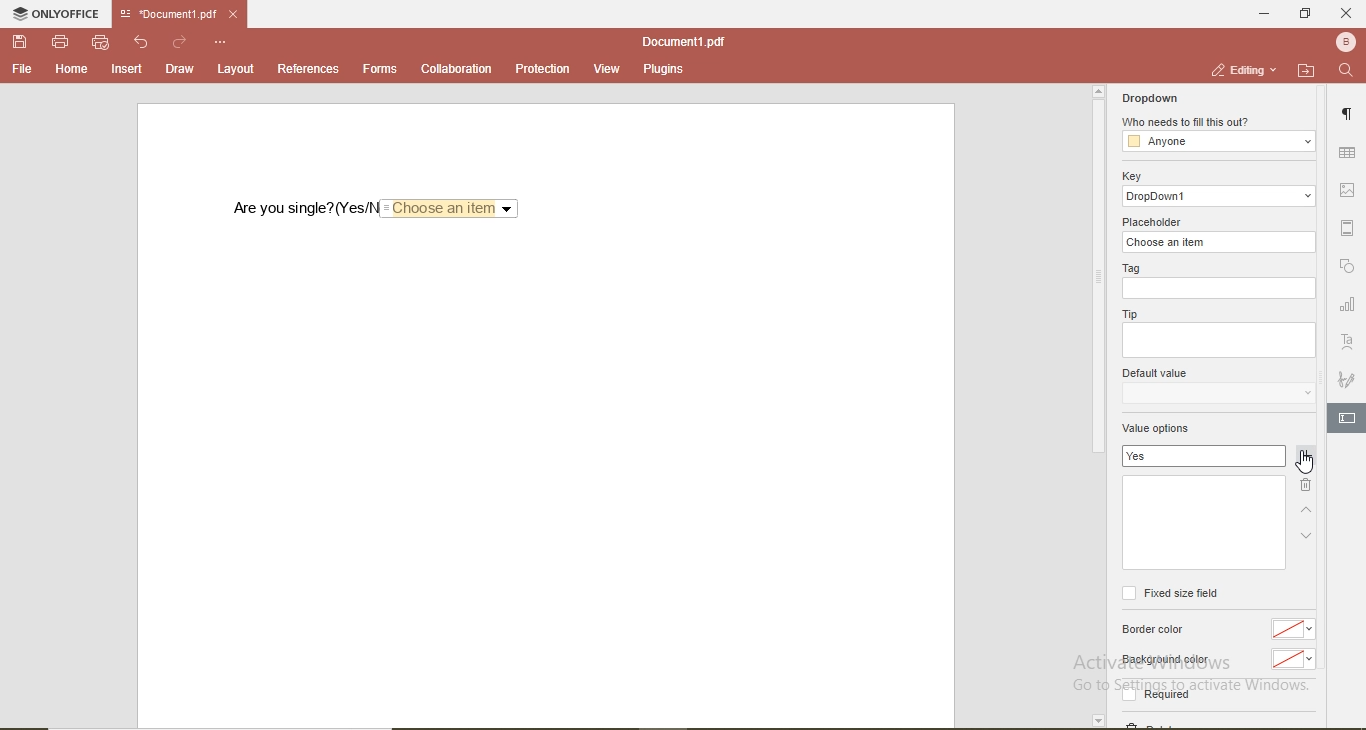 This screenshot has width=1366, height=730. Describe the element at coordinates (142, 43) in the screenshot. I see `undo` at that location.